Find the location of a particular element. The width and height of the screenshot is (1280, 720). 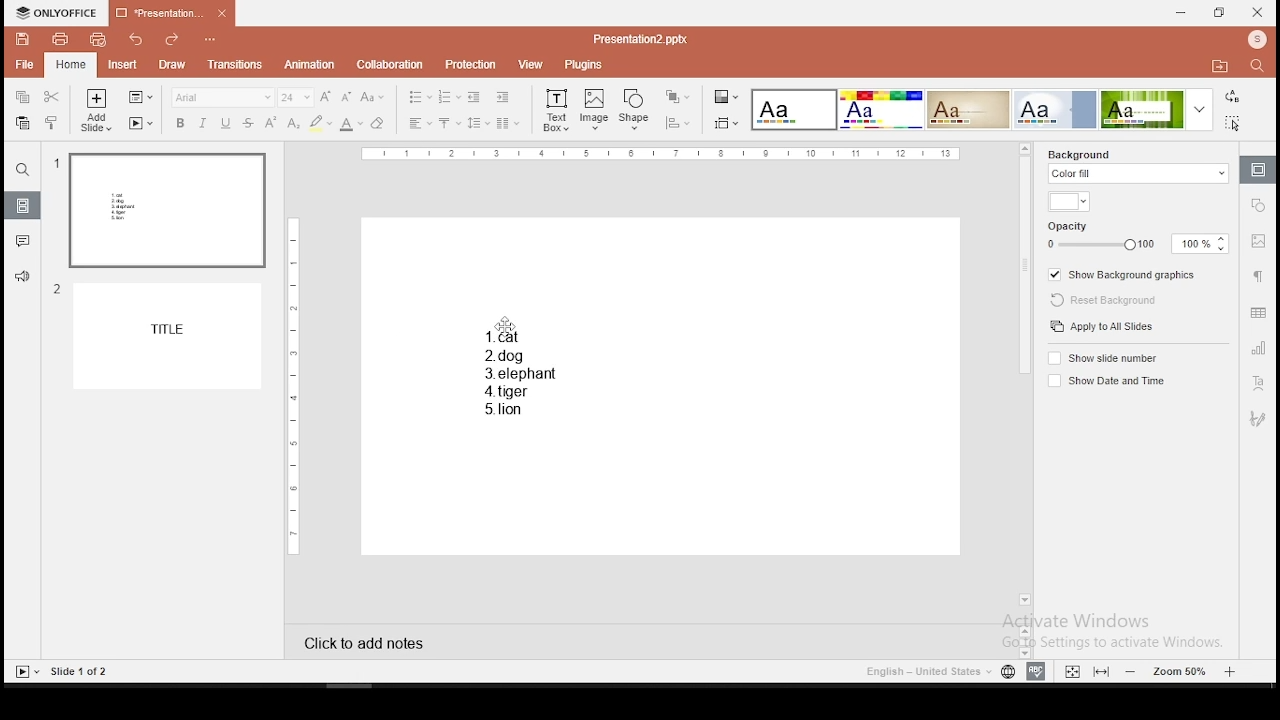

select all is located at coordinates (1236, 125).